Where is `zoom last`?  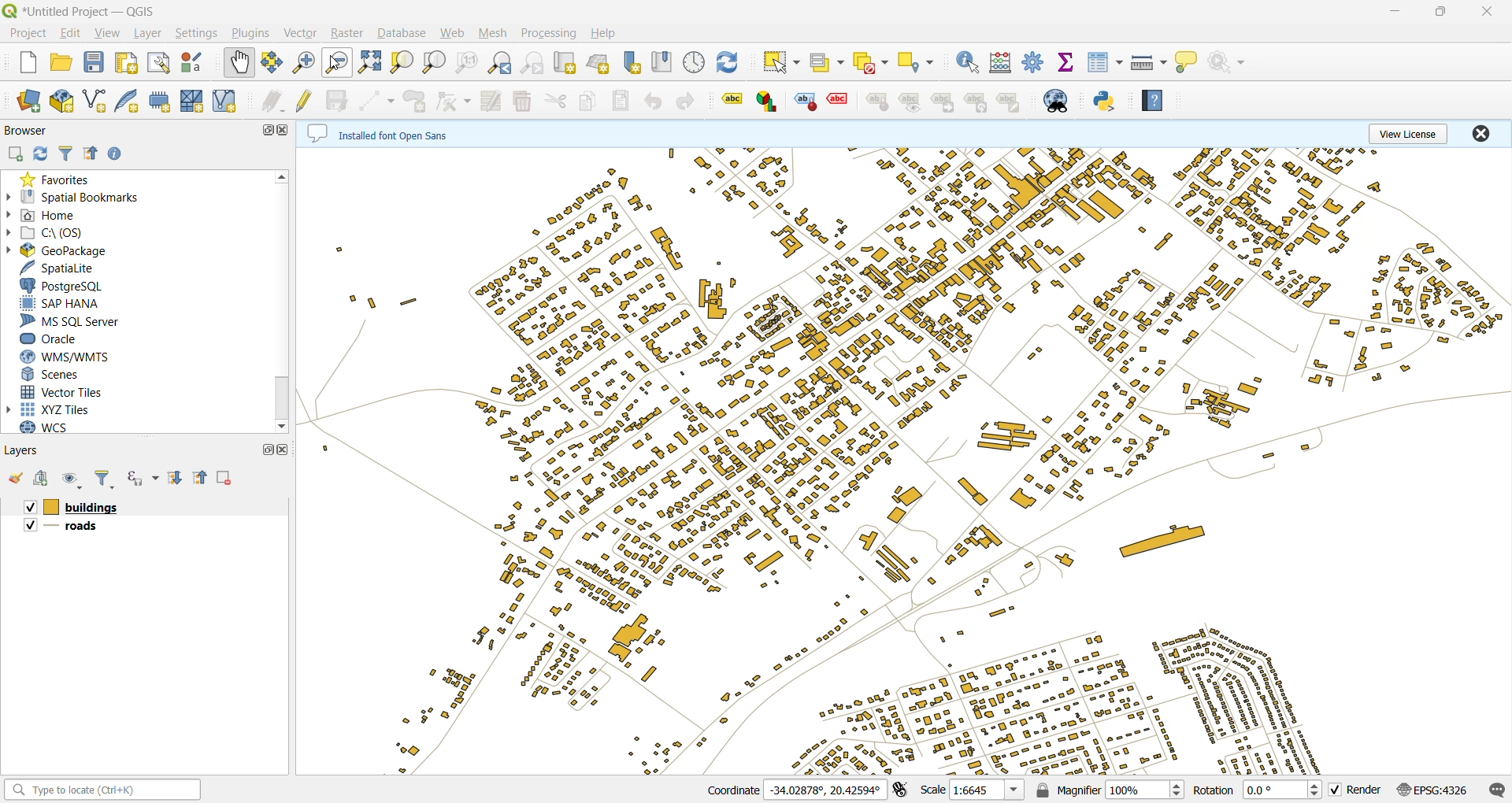
zoom last is located at coordinates (505, 63).